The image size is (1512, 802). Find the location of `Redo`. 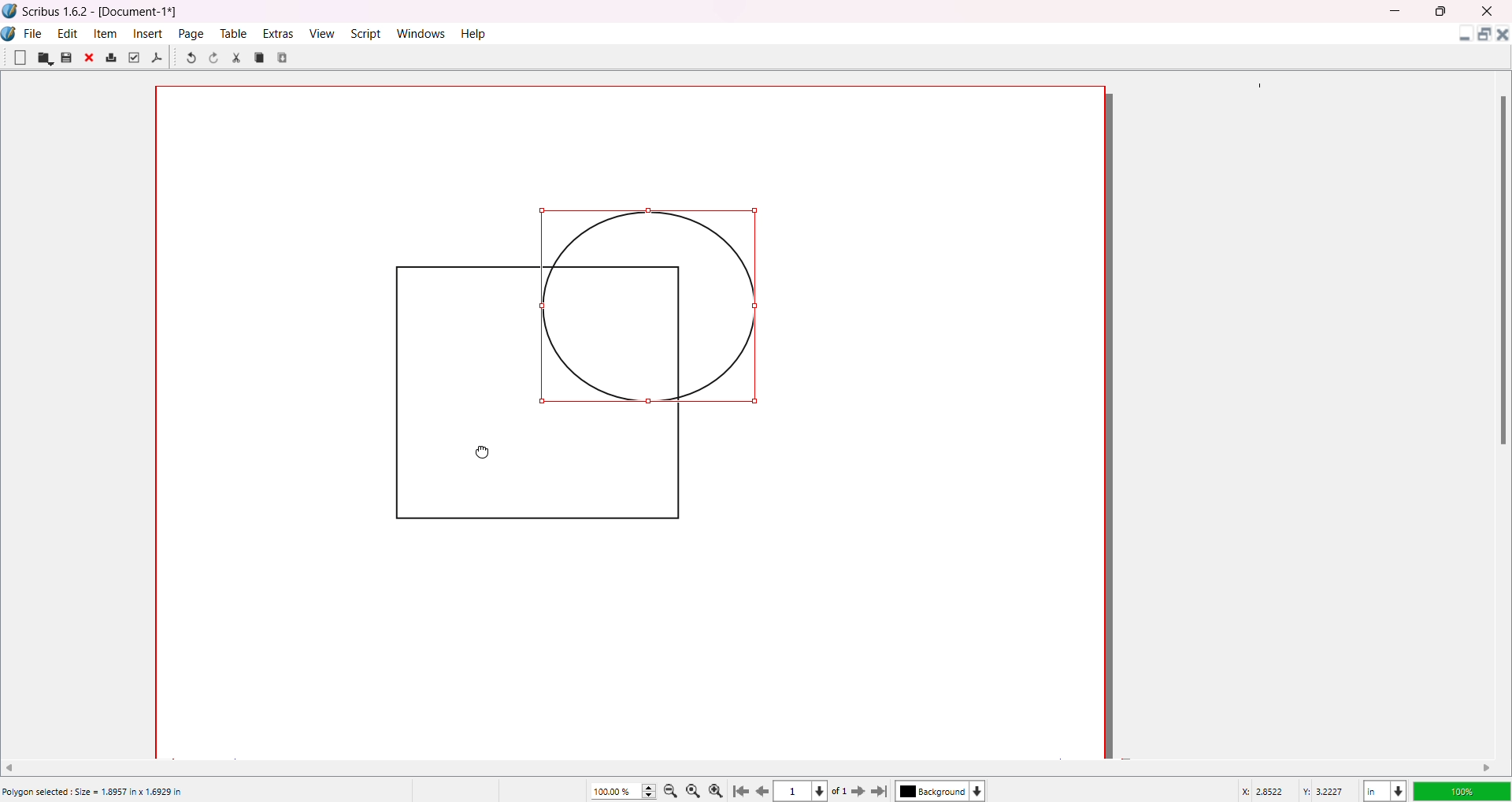

Redo is located at coordinates (217, 60).